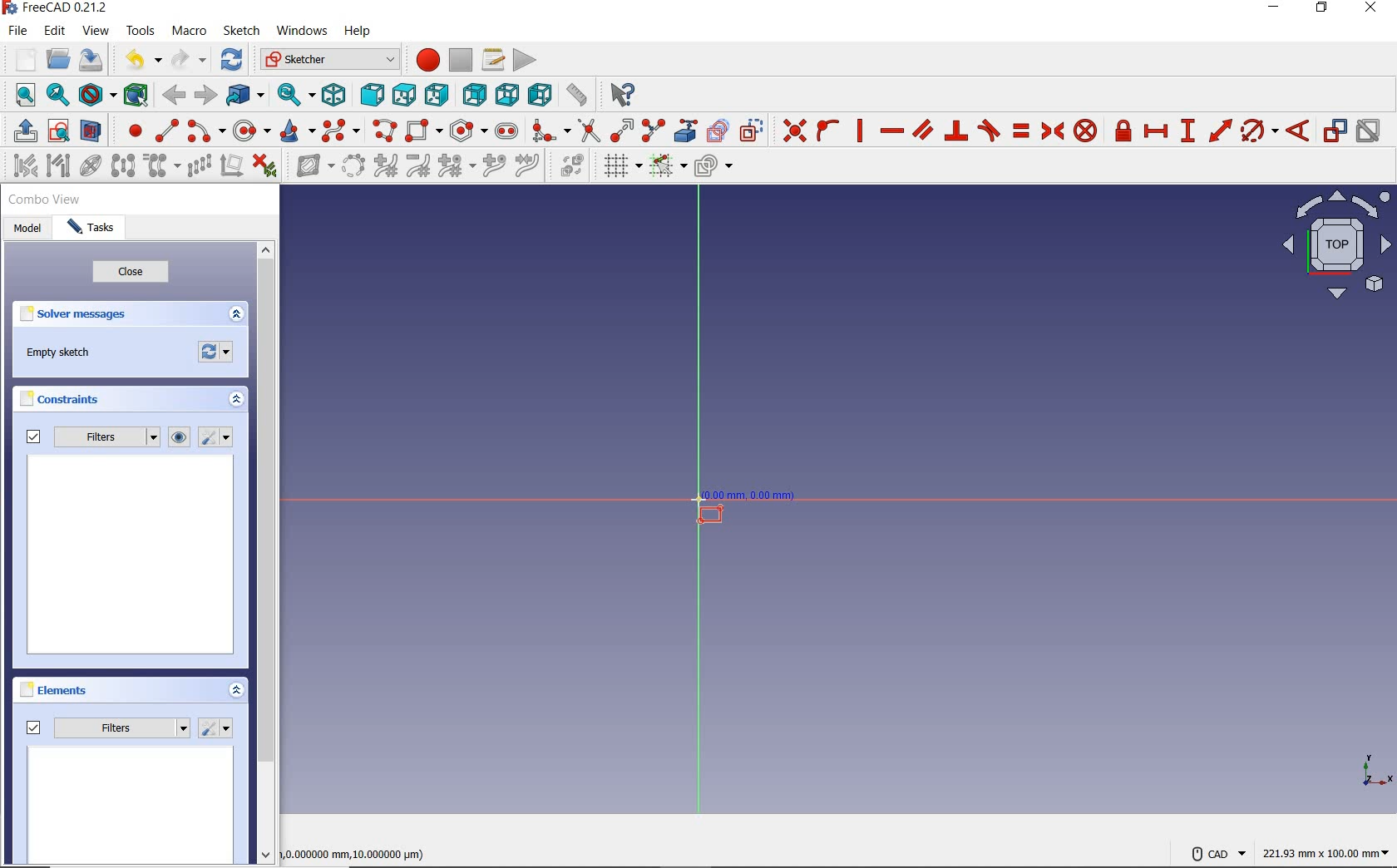 The height and width of the screenshot is (868, 1397). I want to click on empty sketch, so click(59, 353).